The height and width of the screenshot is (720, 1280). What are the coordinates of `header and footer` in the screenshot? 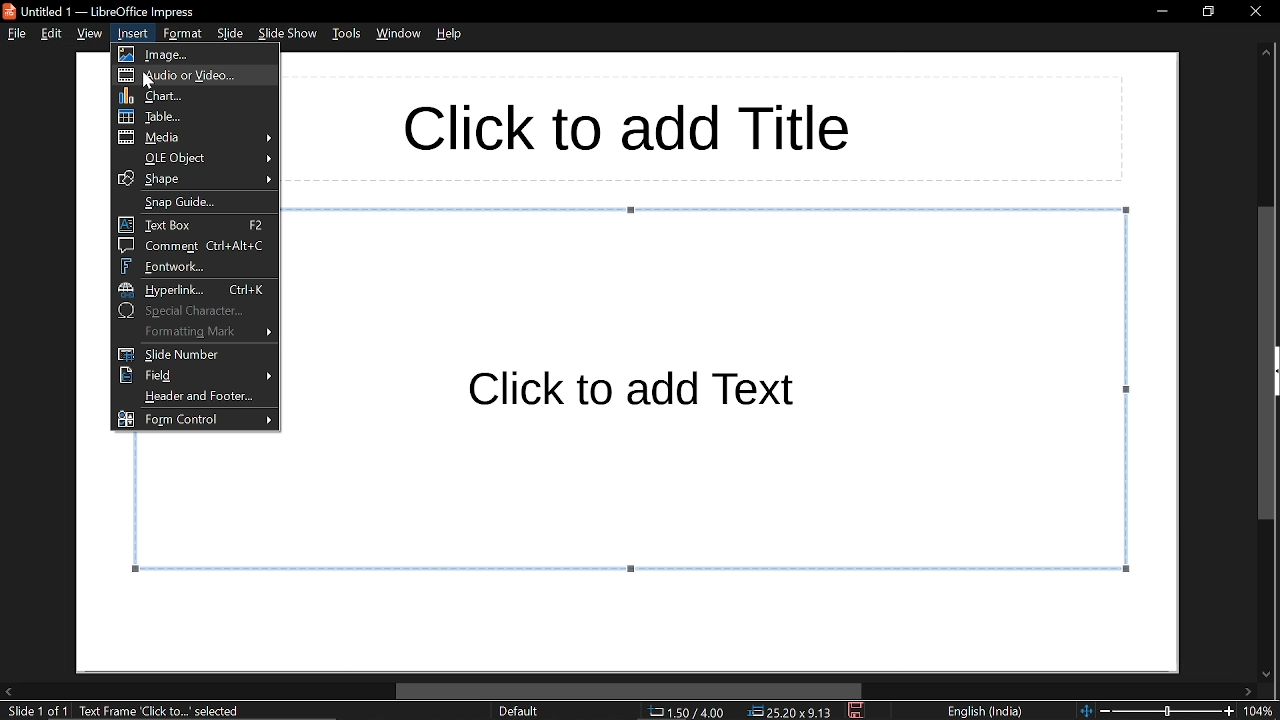 It's located at (195, 397).